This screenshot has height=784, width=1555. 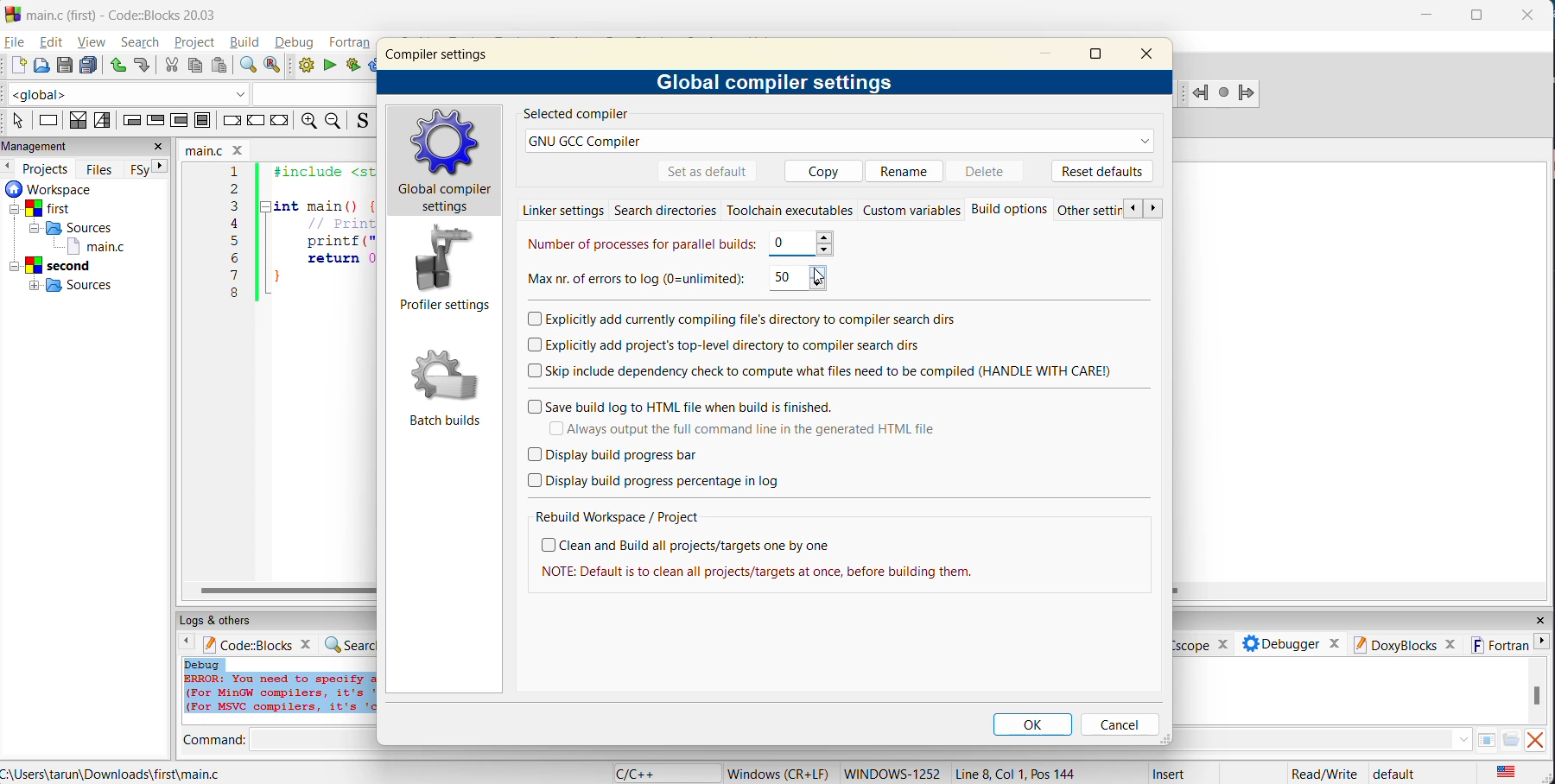 I want to click on project, so click(x=195, y=44).